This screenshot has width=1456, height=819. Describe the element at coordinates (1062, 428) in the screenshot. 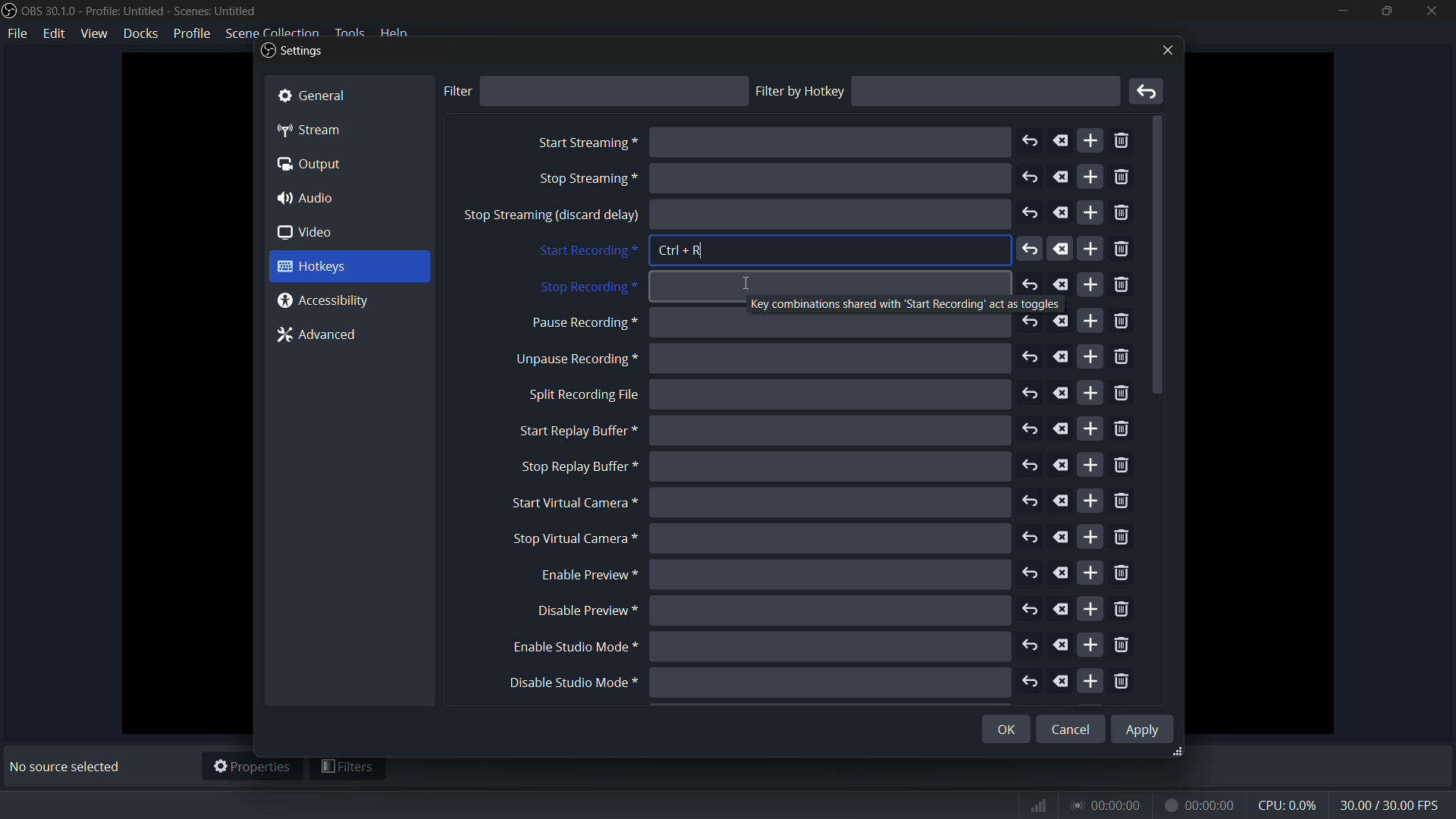

I see `delete` at that location.